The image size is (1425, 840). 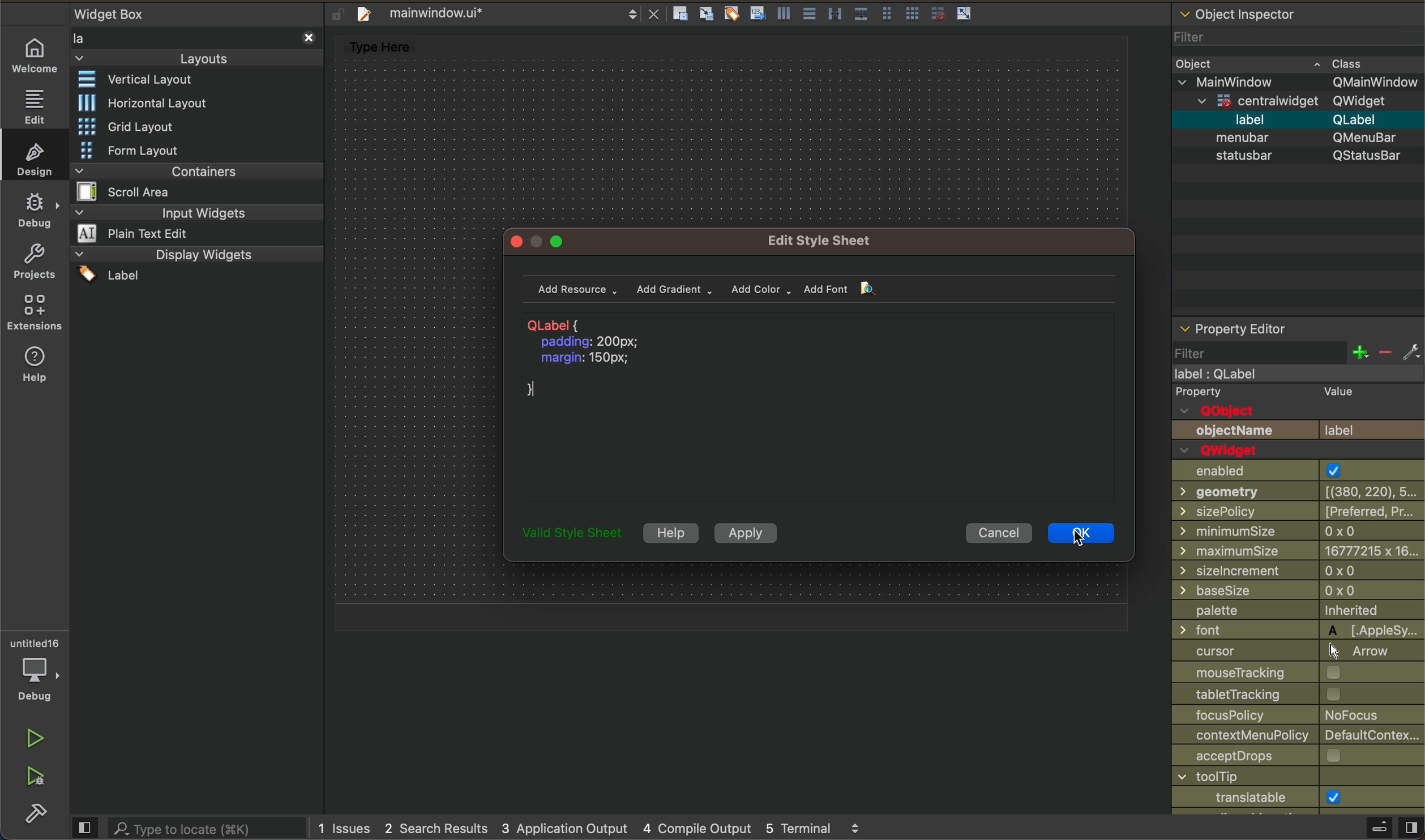 I want to click on 5 terminal, so click(x=823, y=825).